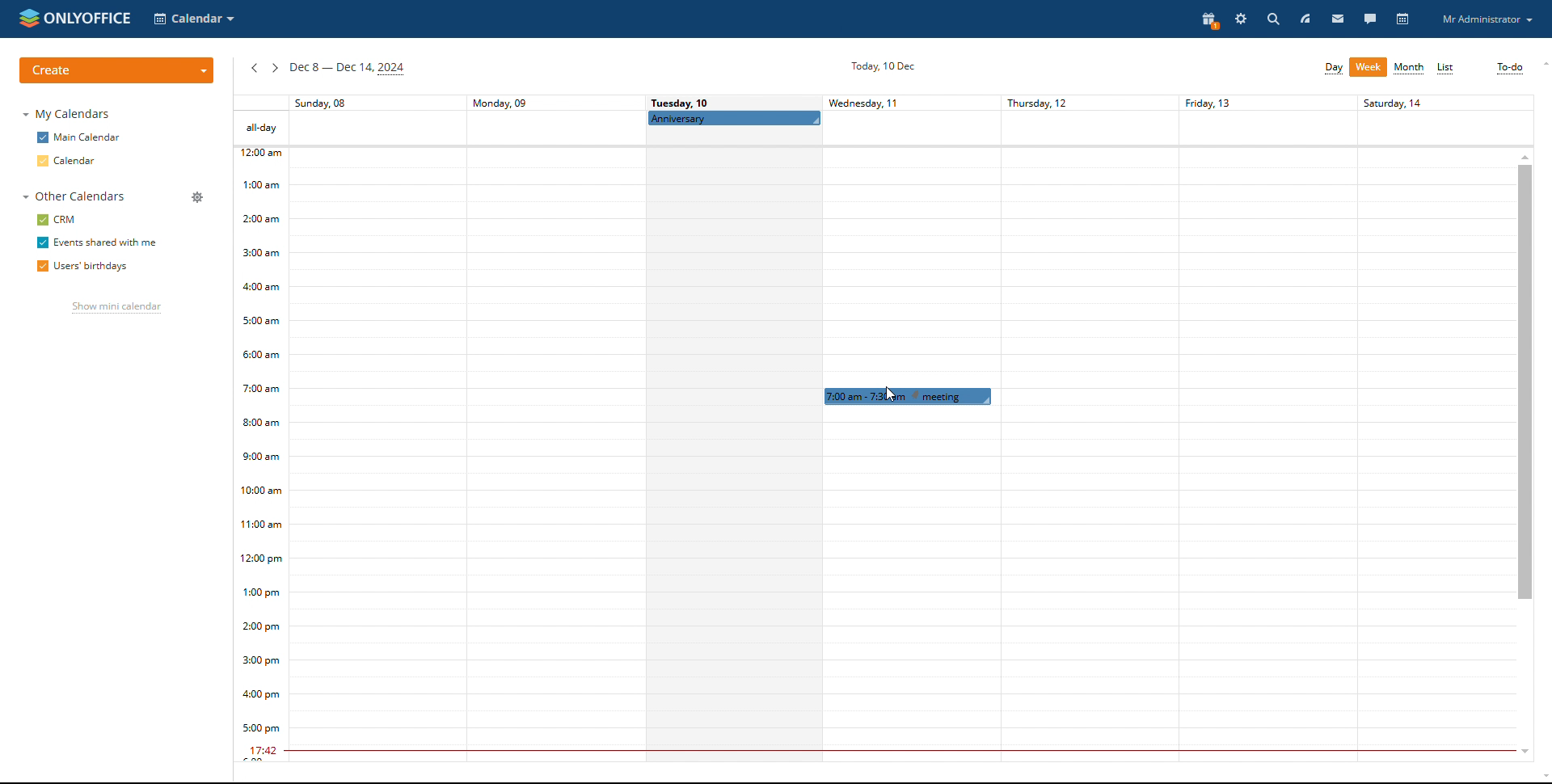 The image size is (1552, 784). What do you see at coordinates (907, 394) in the screenshot?
I see `event being dragged to rescheduled` at bounding box center [907, 394].